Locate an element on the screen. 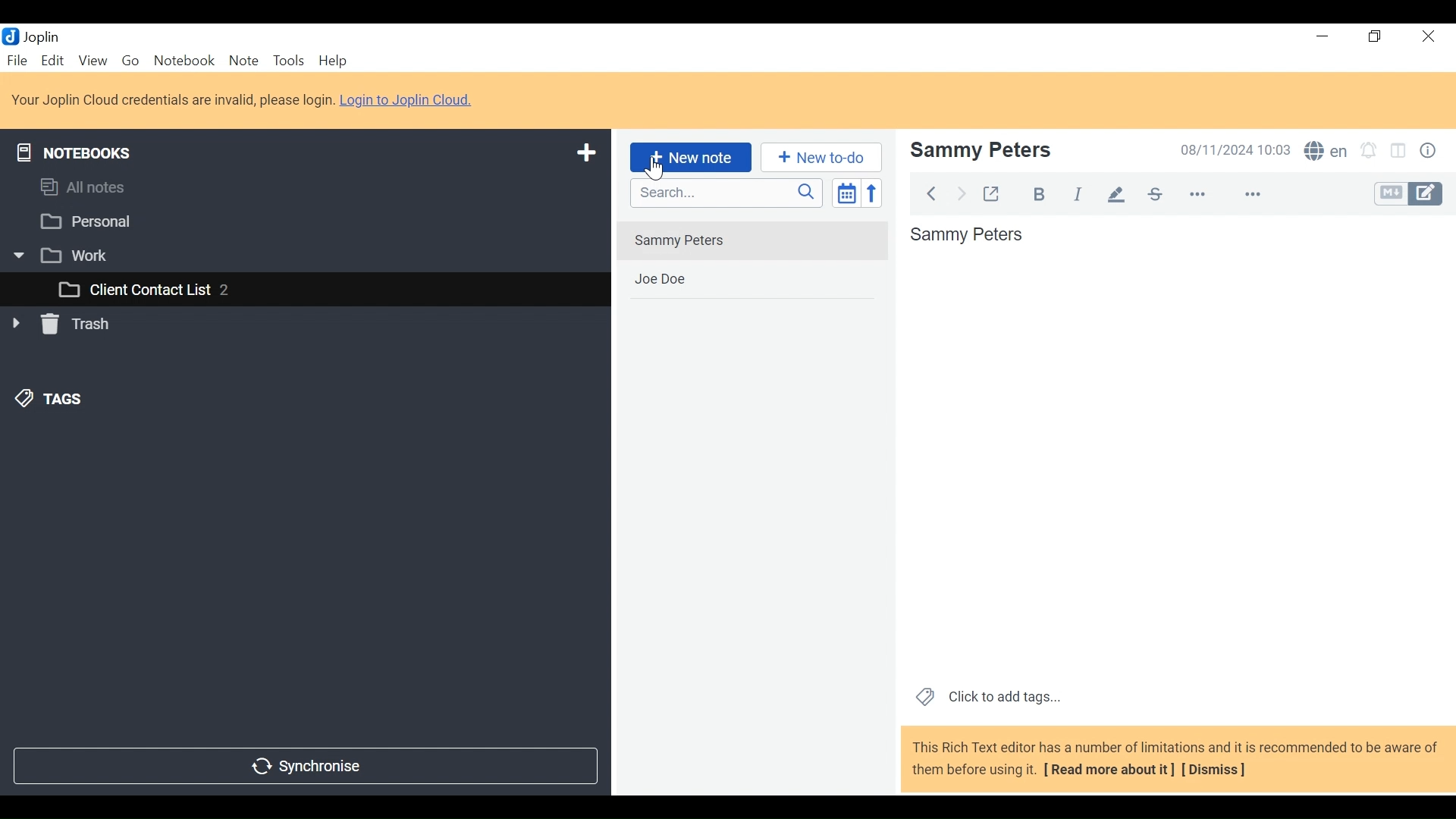 The width and height of the screenshot is (1456, 819). This Rich Text editor has a number of limitations and it is recommended to be aware before using it (Read more about it) (Dismiss) is located at coordinates (1173, 761).